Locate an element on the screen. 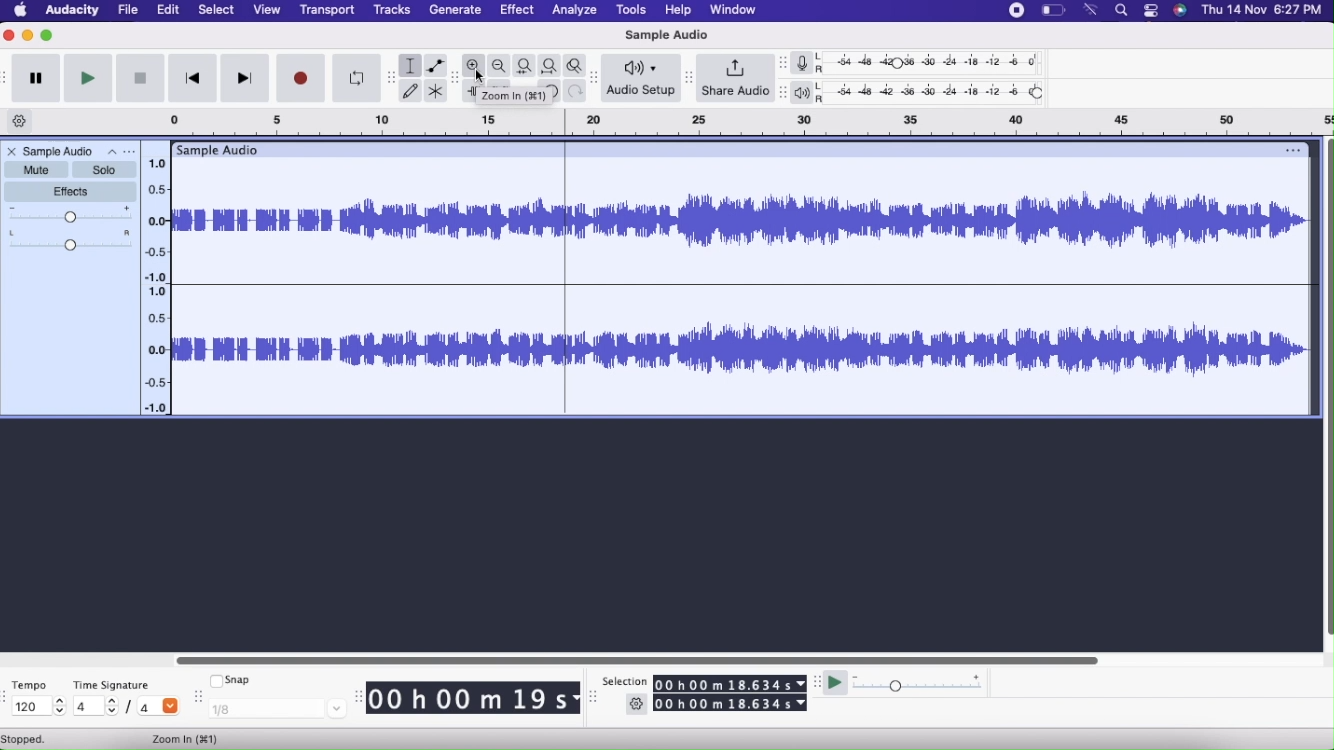  zoom in is located at coordinates (513, 98).